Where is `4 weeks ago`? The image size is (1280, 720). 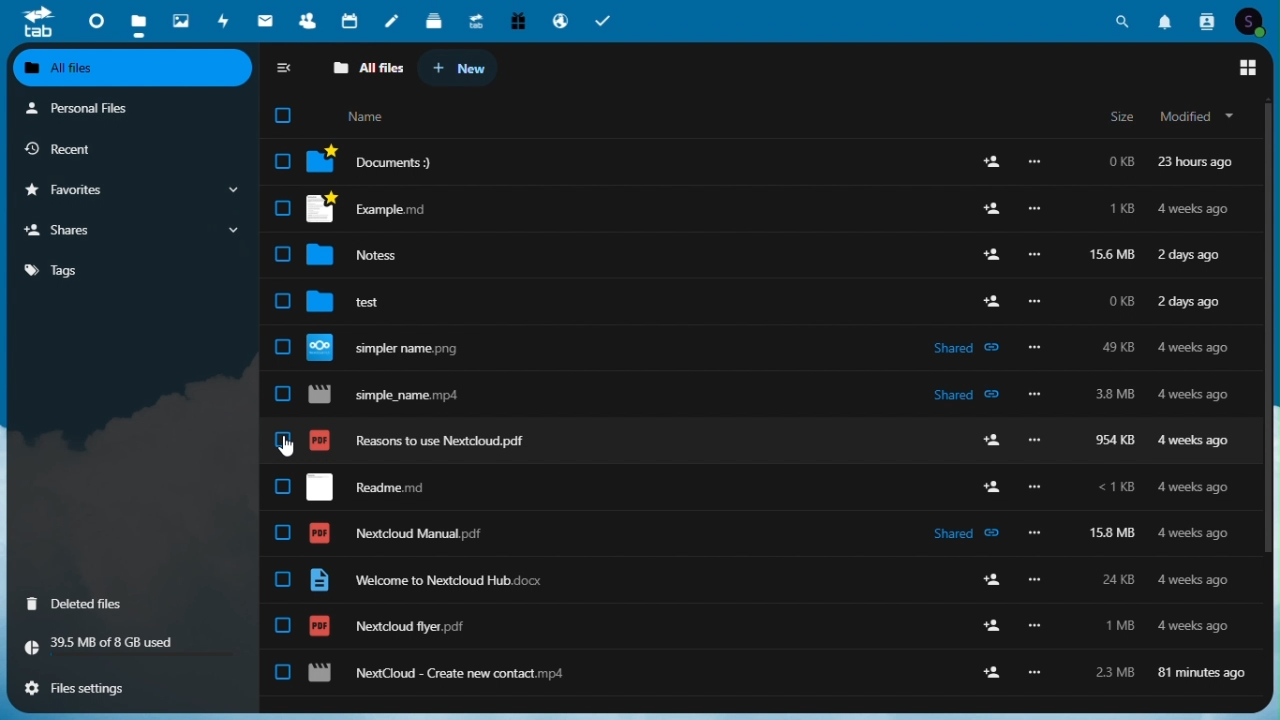 4 weeks ago is located at coordinates (1192, 489).